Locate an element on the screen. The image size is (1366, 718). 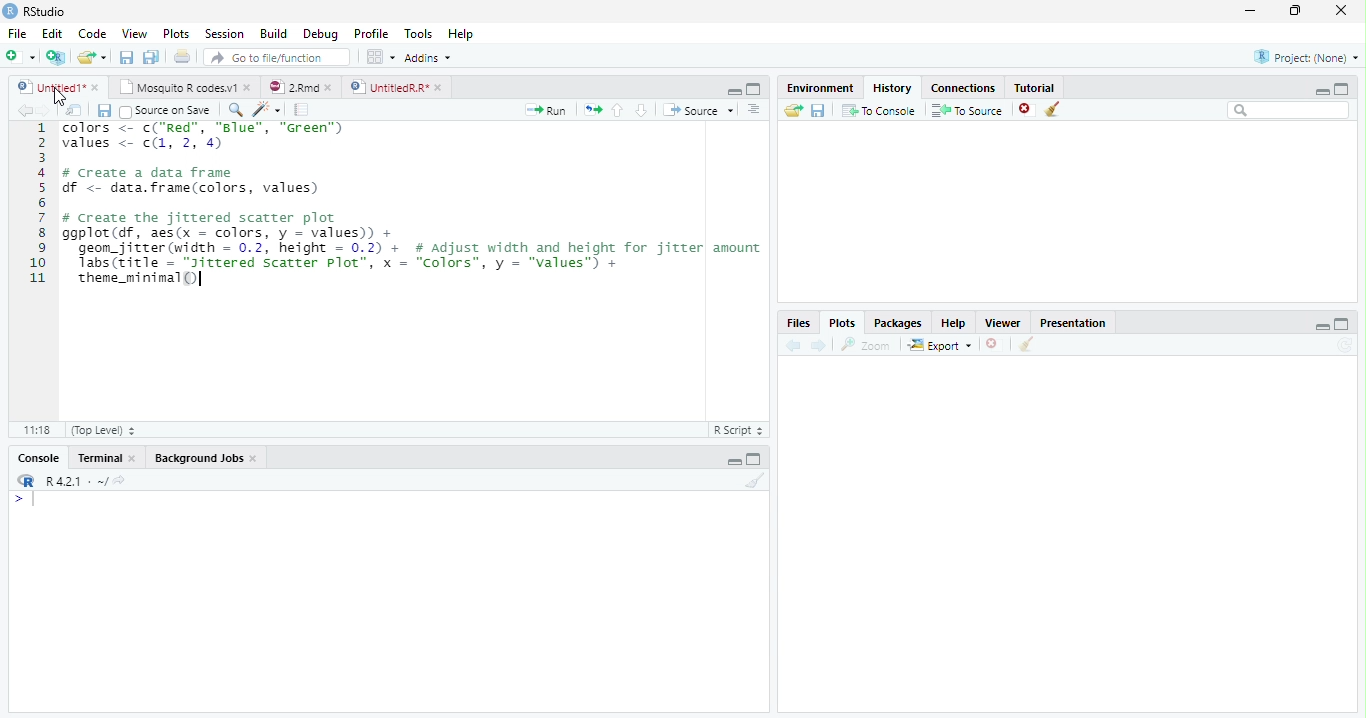
Minimize is located at coordinates (1321, 326).